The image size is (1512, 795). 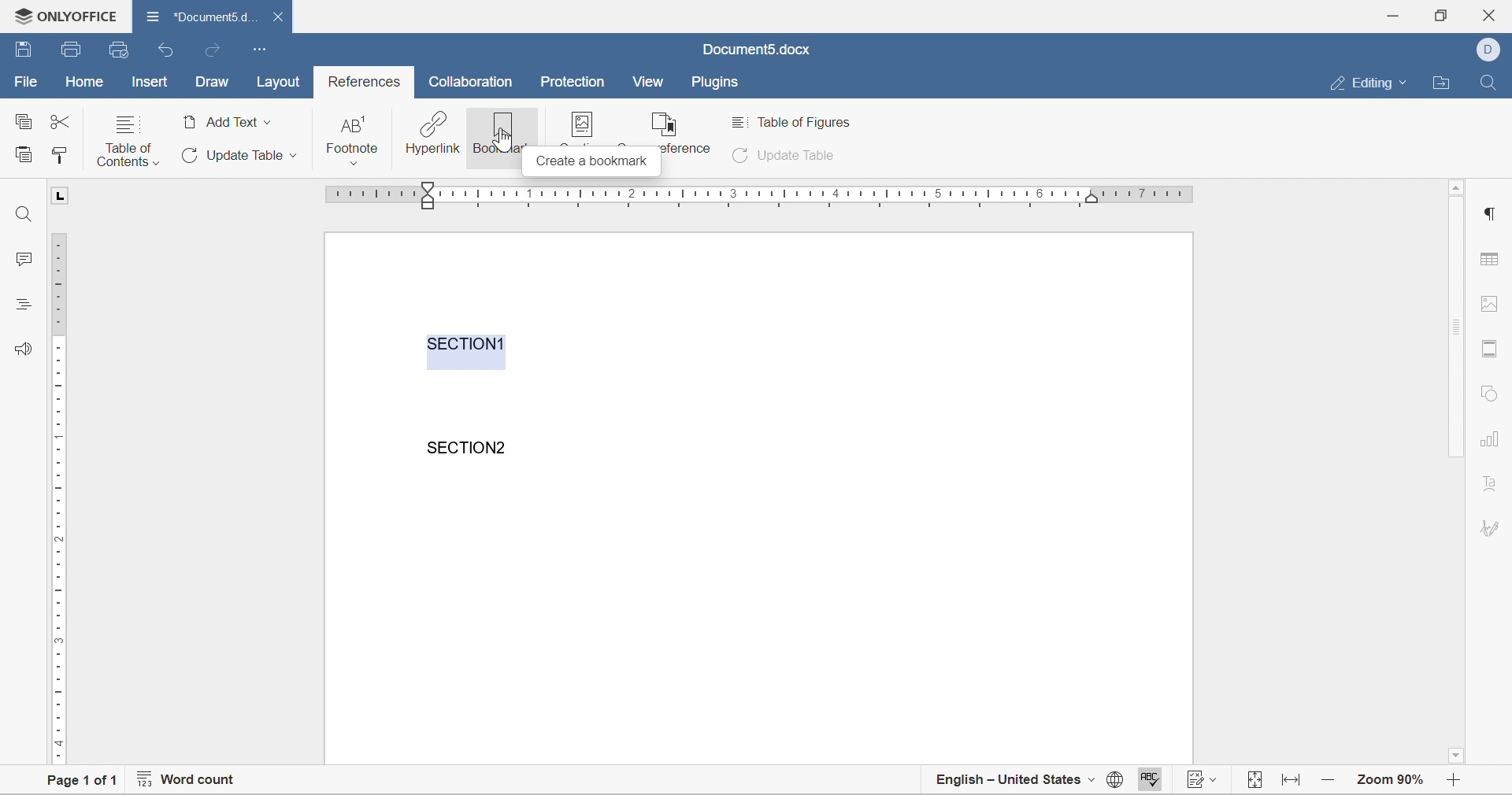 I want to click on bookmark, so click(x=500, y=132).